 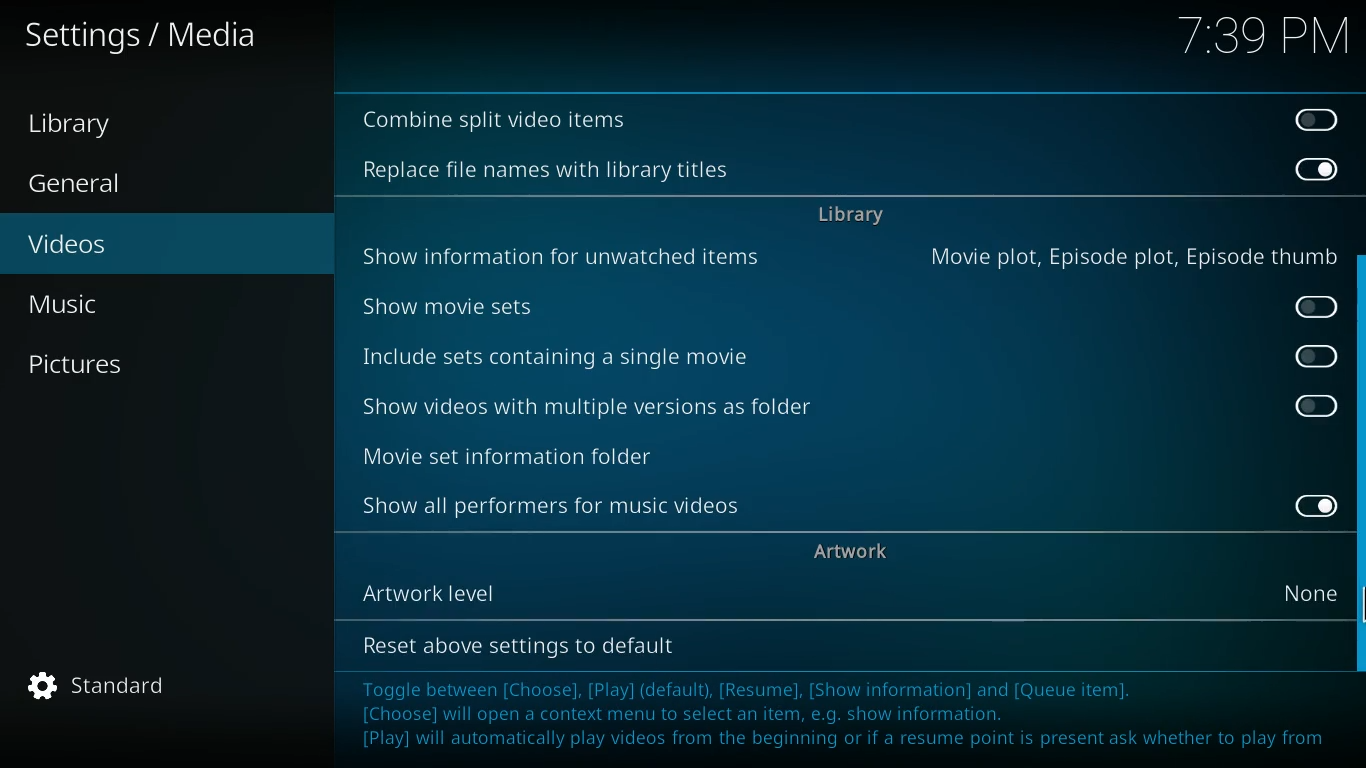 I want to click on show information, so click(x=569, y=253).